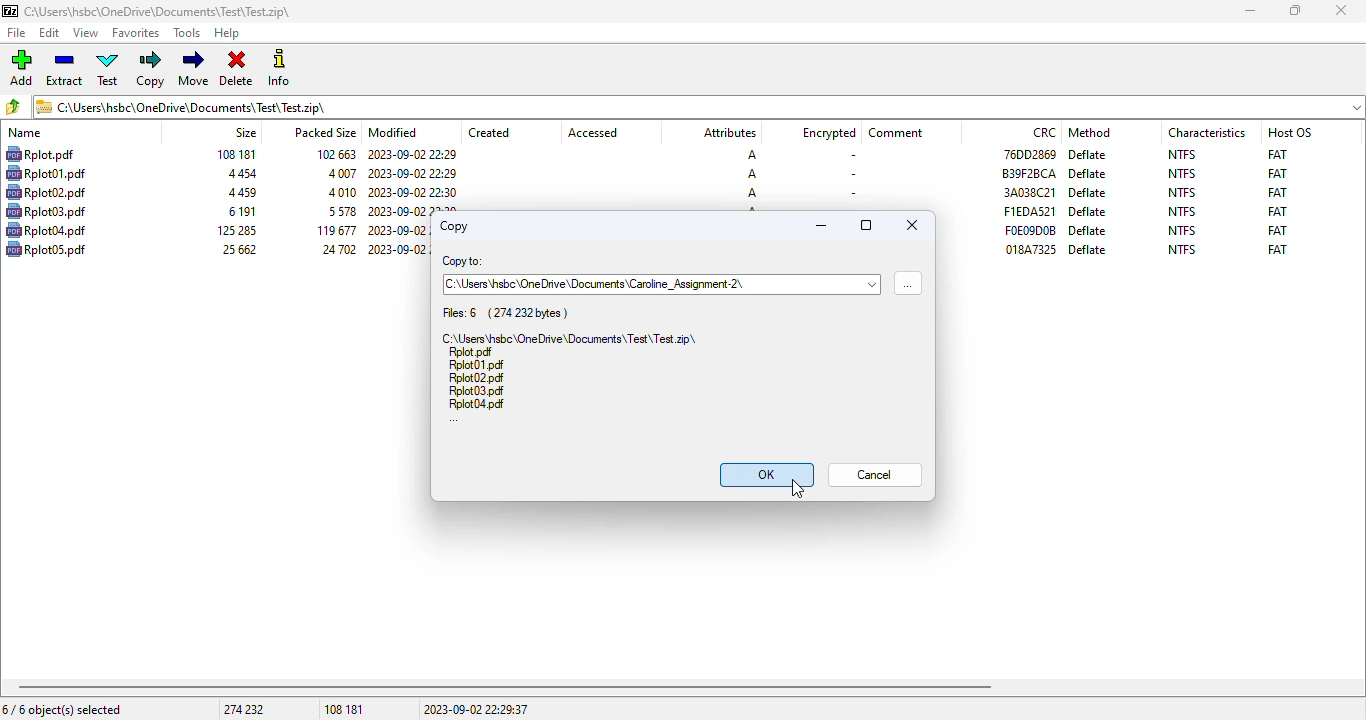 This screenshot has width=1366, height=720. Describe the element at coordinates (333, 230) in the screenshot. I see `packed size` at that location.